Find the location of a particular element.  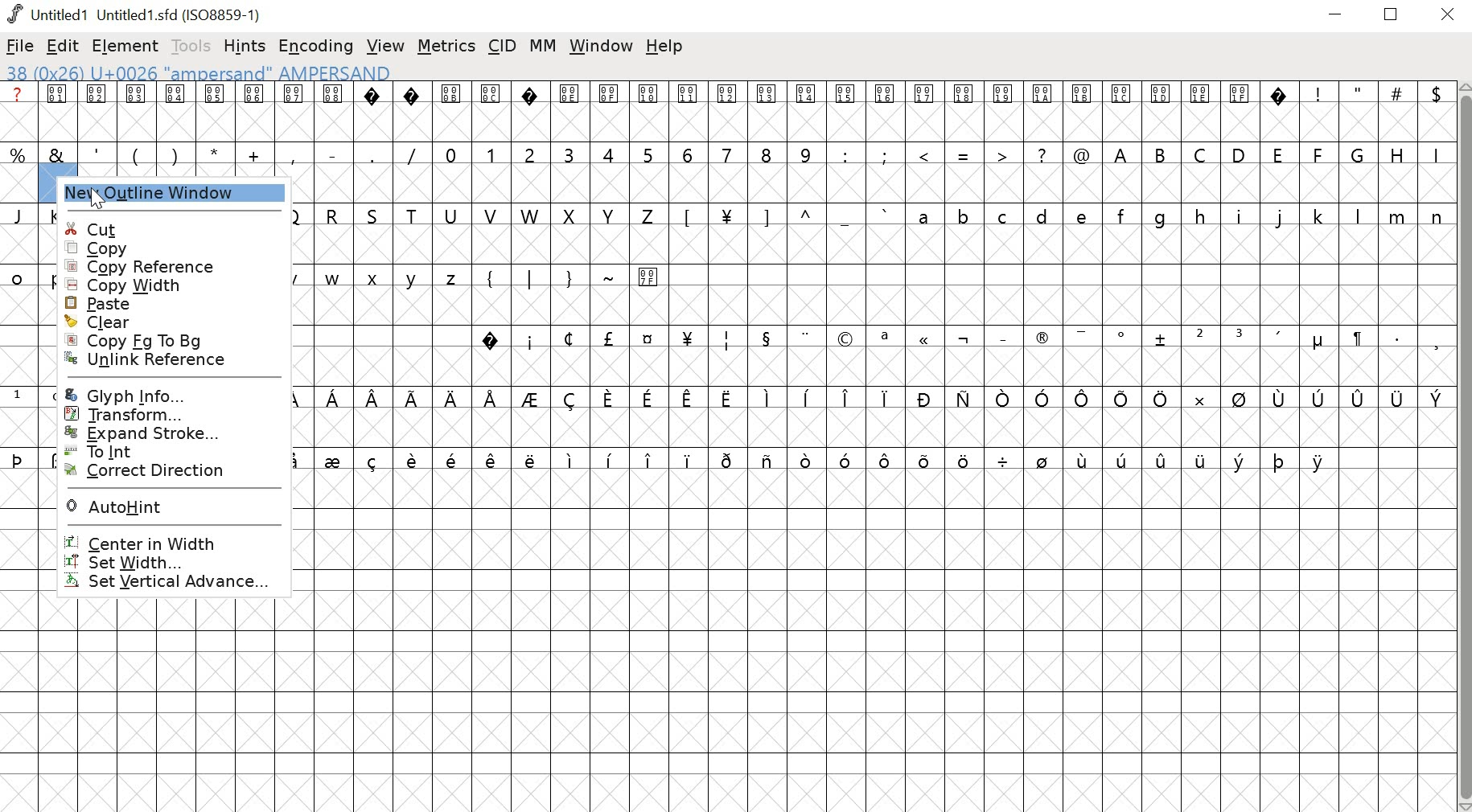

y is located at coordinates (415, 278).